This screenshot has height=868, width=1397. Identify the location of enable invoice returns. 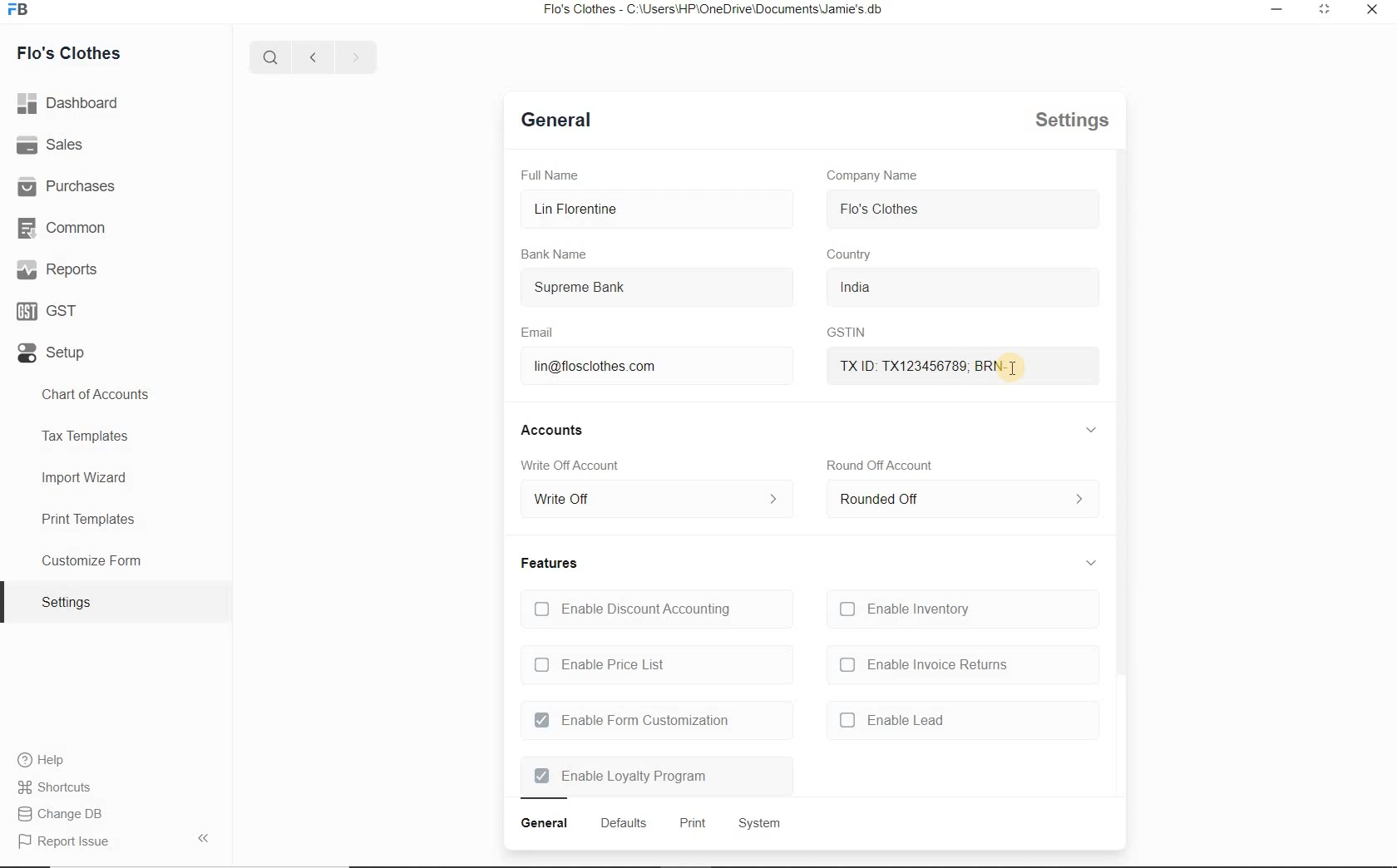
(923, 665).